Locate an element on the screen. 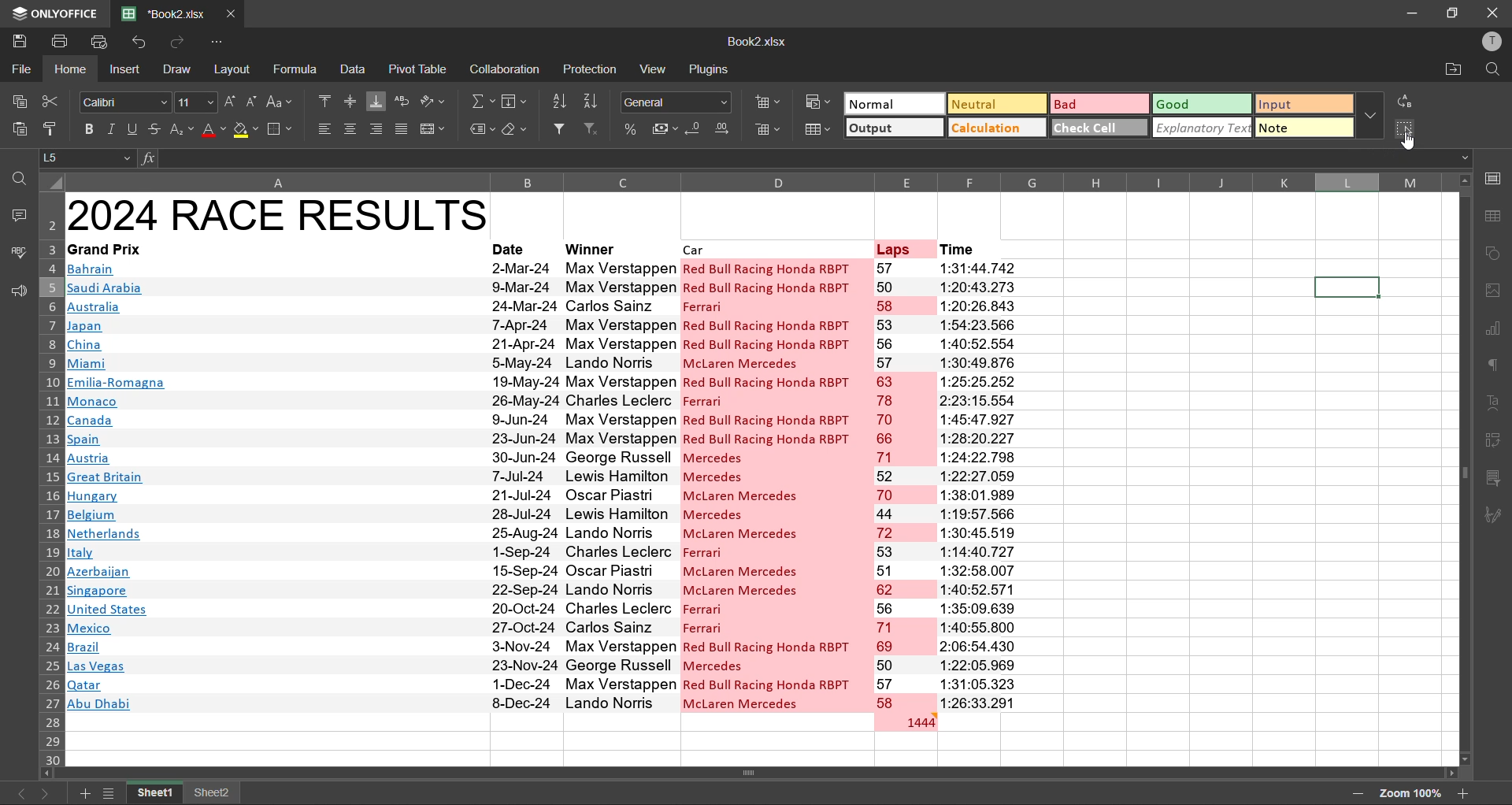 The image size is (1512, 805). sheet list is located at coordinates (114, 793).